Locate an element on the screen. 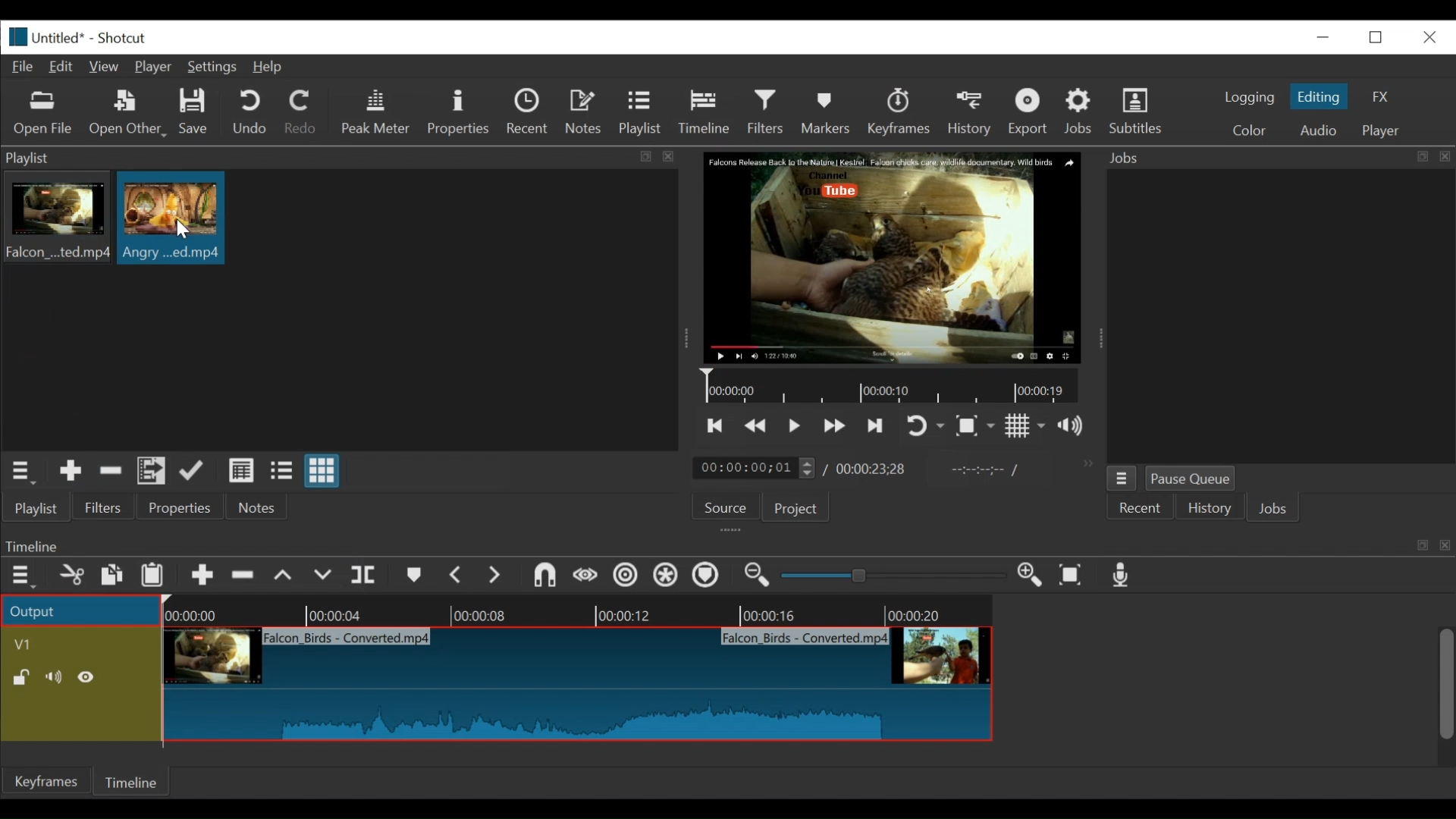 The image size is (1456, 819). History is located at coordinates (1210, 510).